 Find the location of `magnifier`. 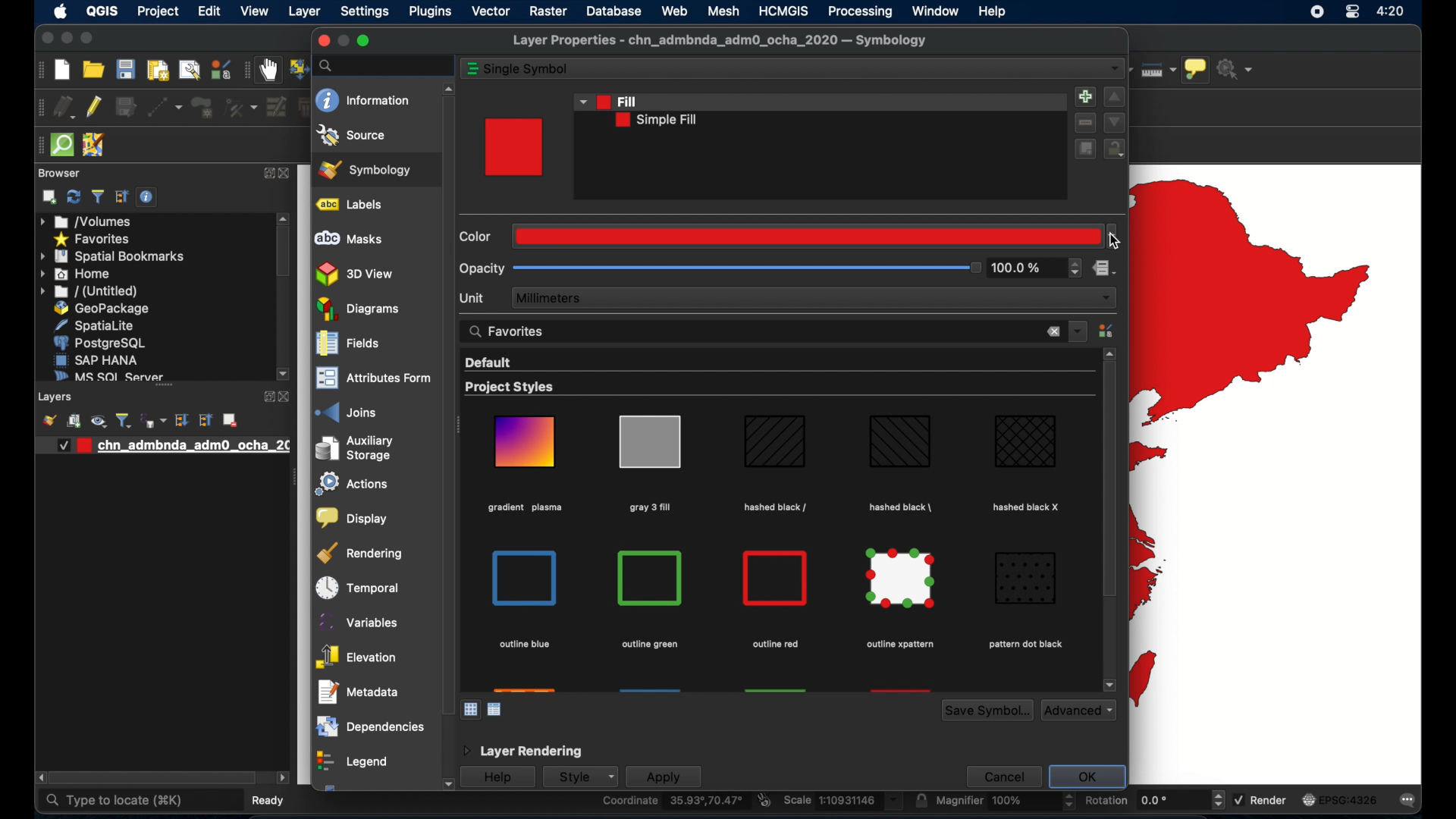

magnifier is located at coordinates (996, 802).